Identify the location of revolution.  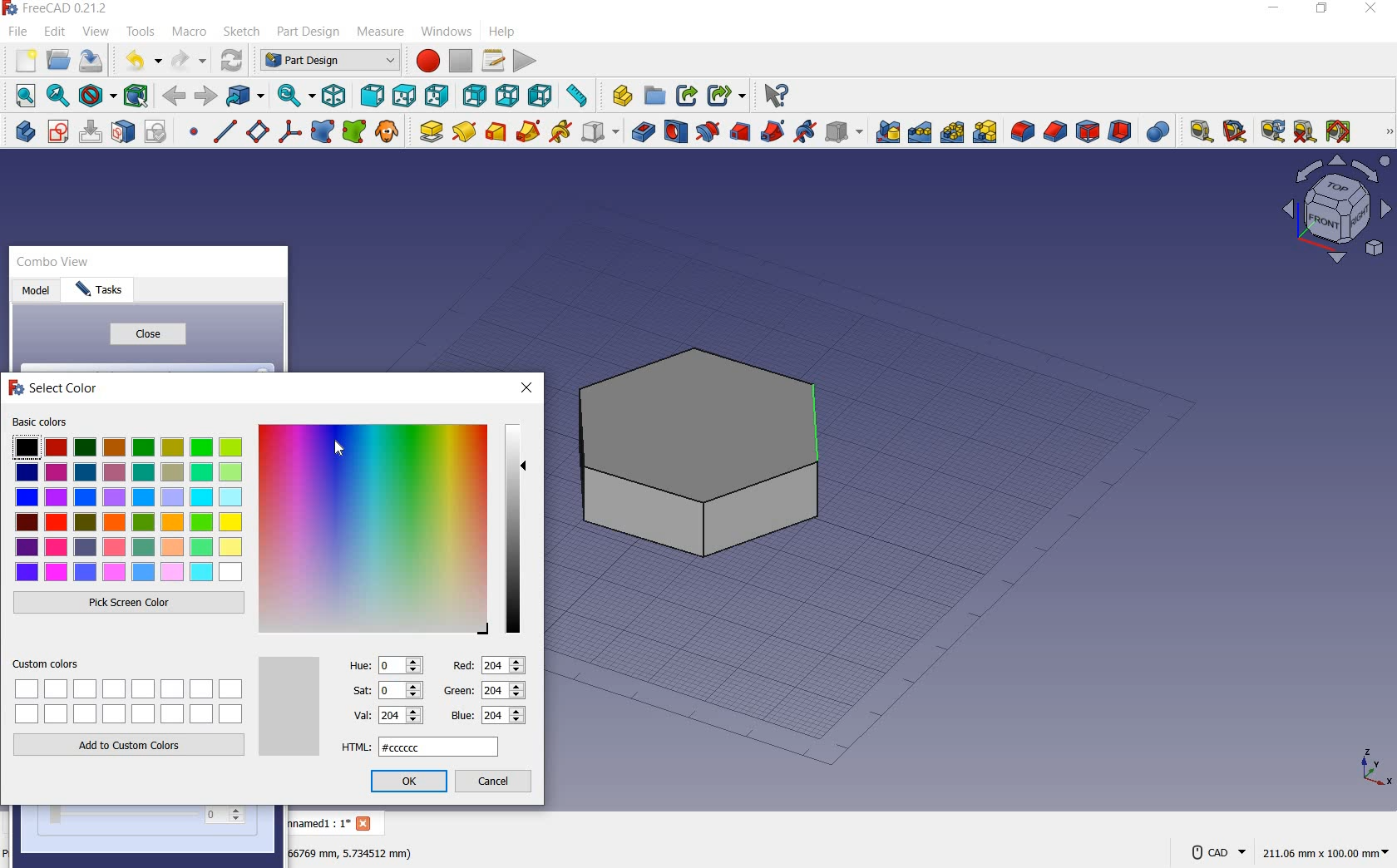
(464, 131).